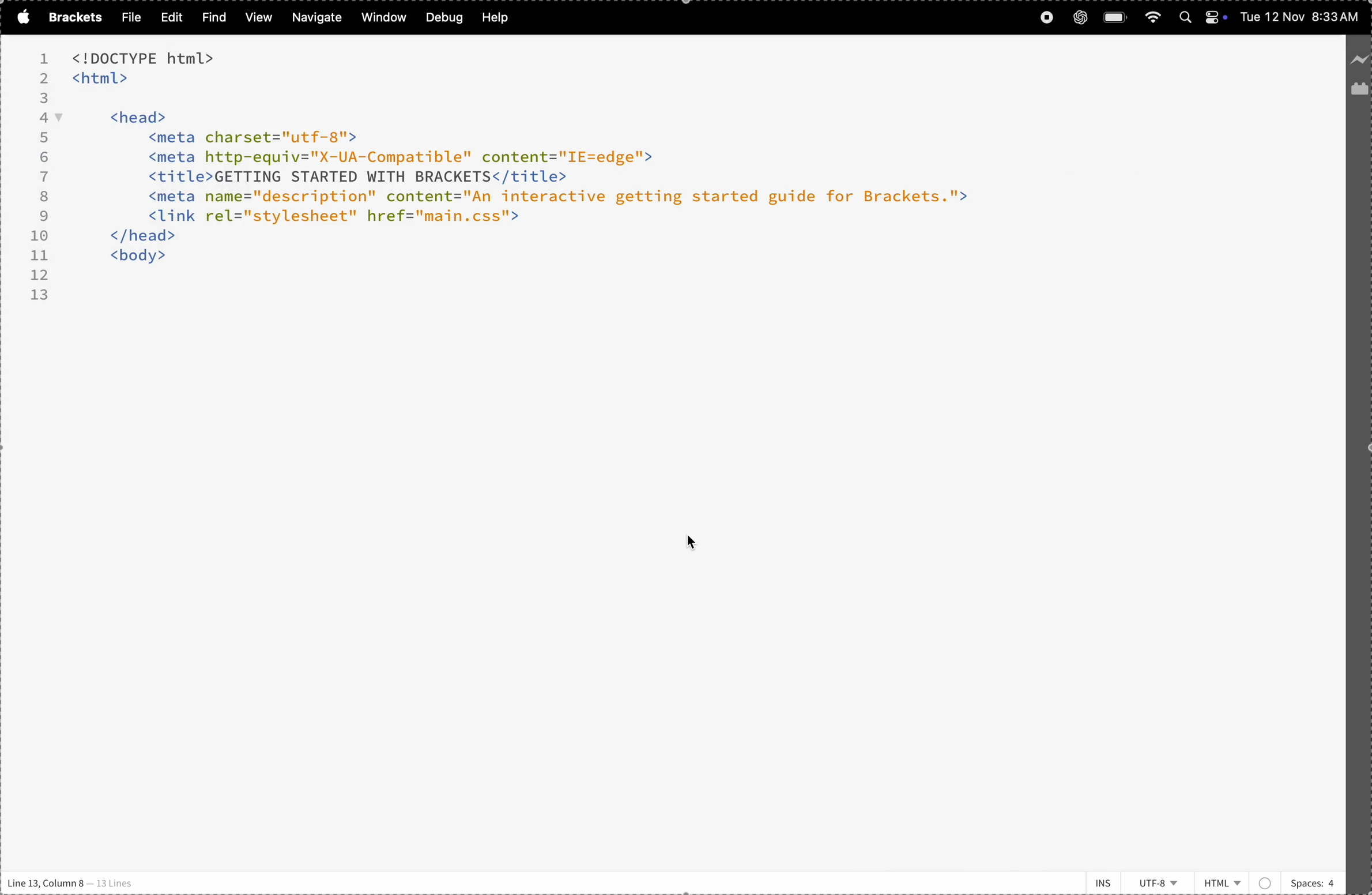  Describe the element at coordinates (1152, 17) in the screenshot. I see `wifi` at that location.